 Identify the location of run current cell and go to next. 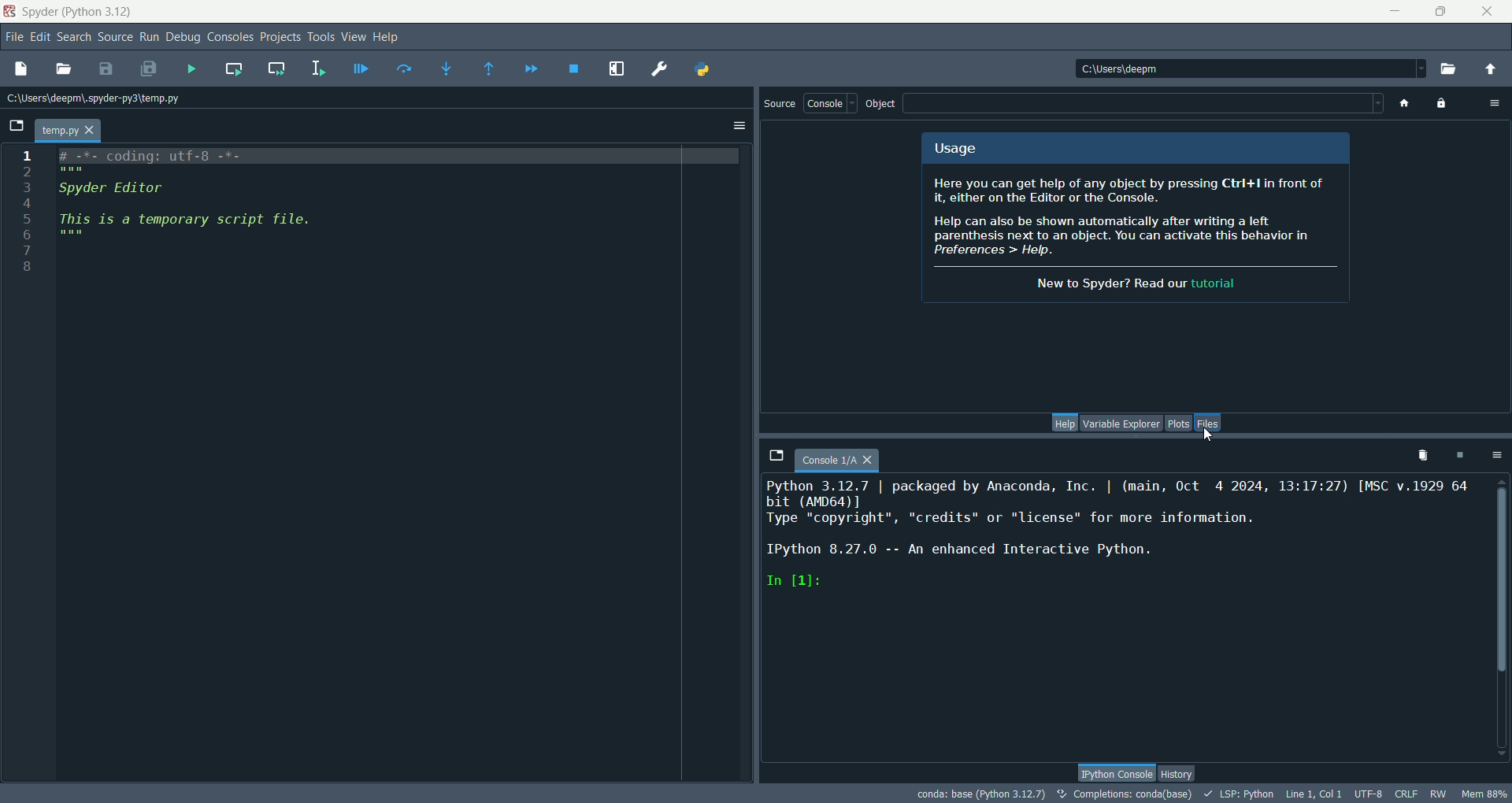
(277, 68).